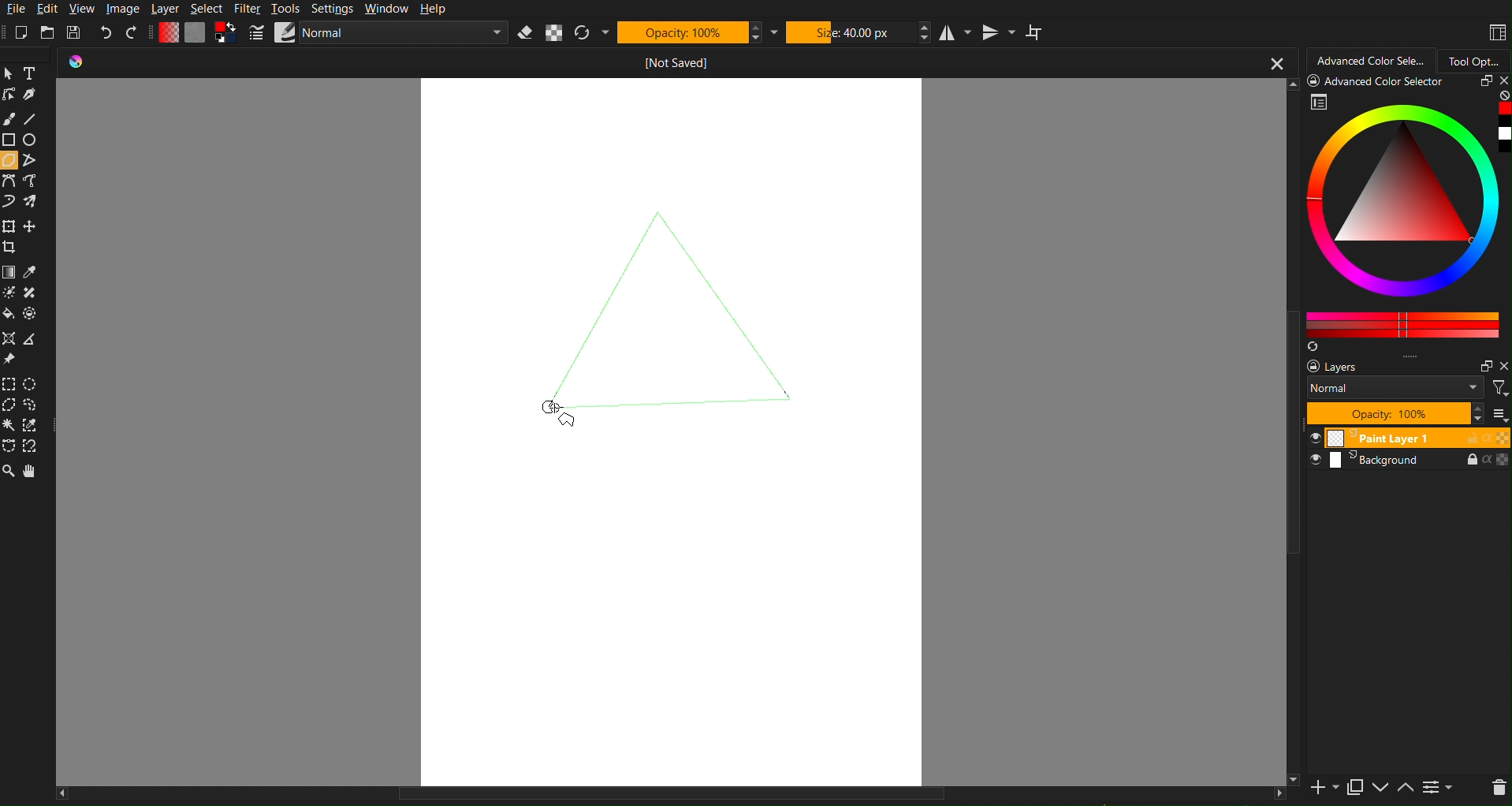 This screenshot has height=806, width=1512. I want to click on restore panel, so click(1483, 83).